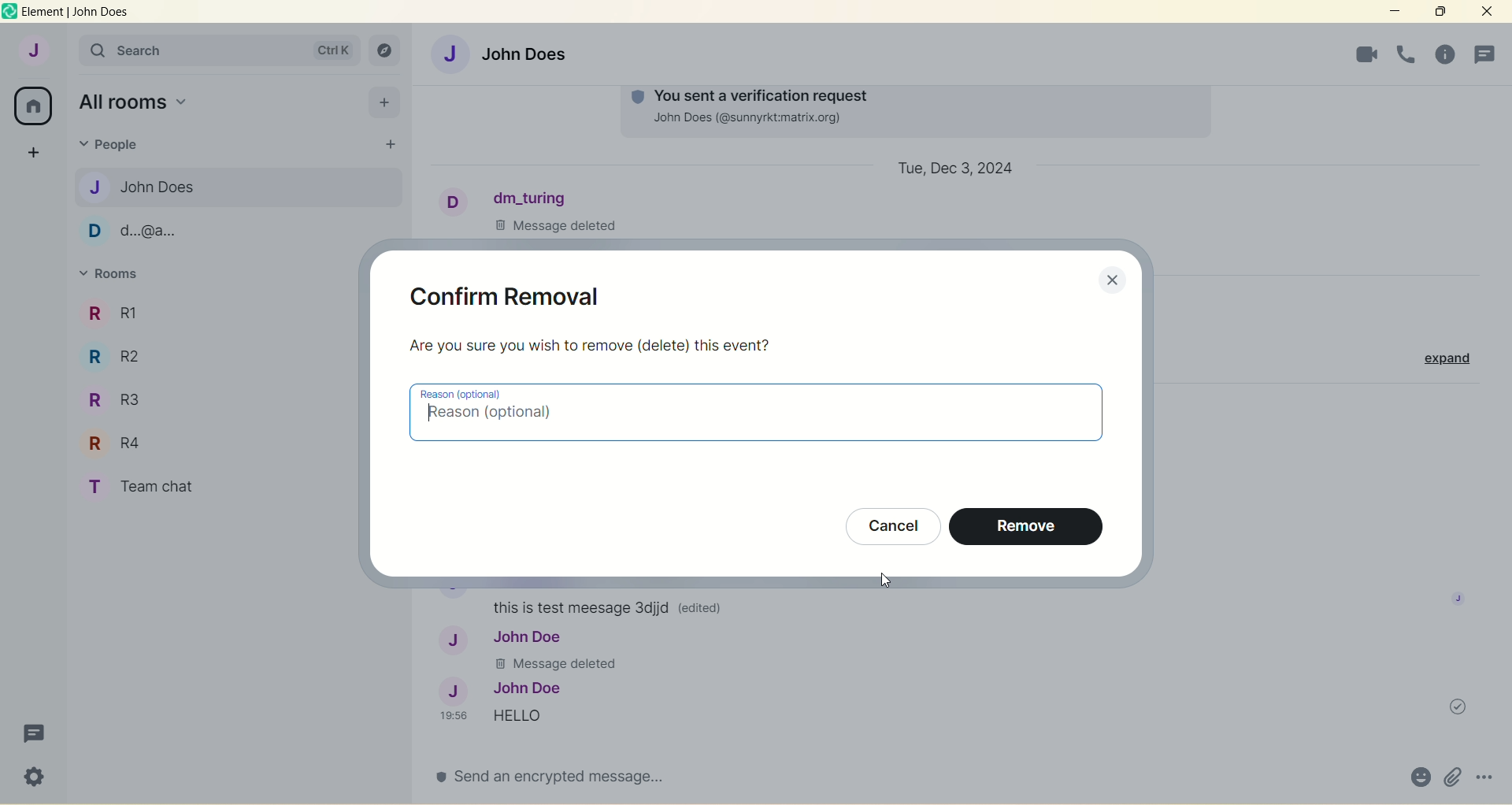 The height and width of the screenshot is (805, 1512). Describe the element at coordinates (547, 716) in the screenshot. I see `Hello` at that location.